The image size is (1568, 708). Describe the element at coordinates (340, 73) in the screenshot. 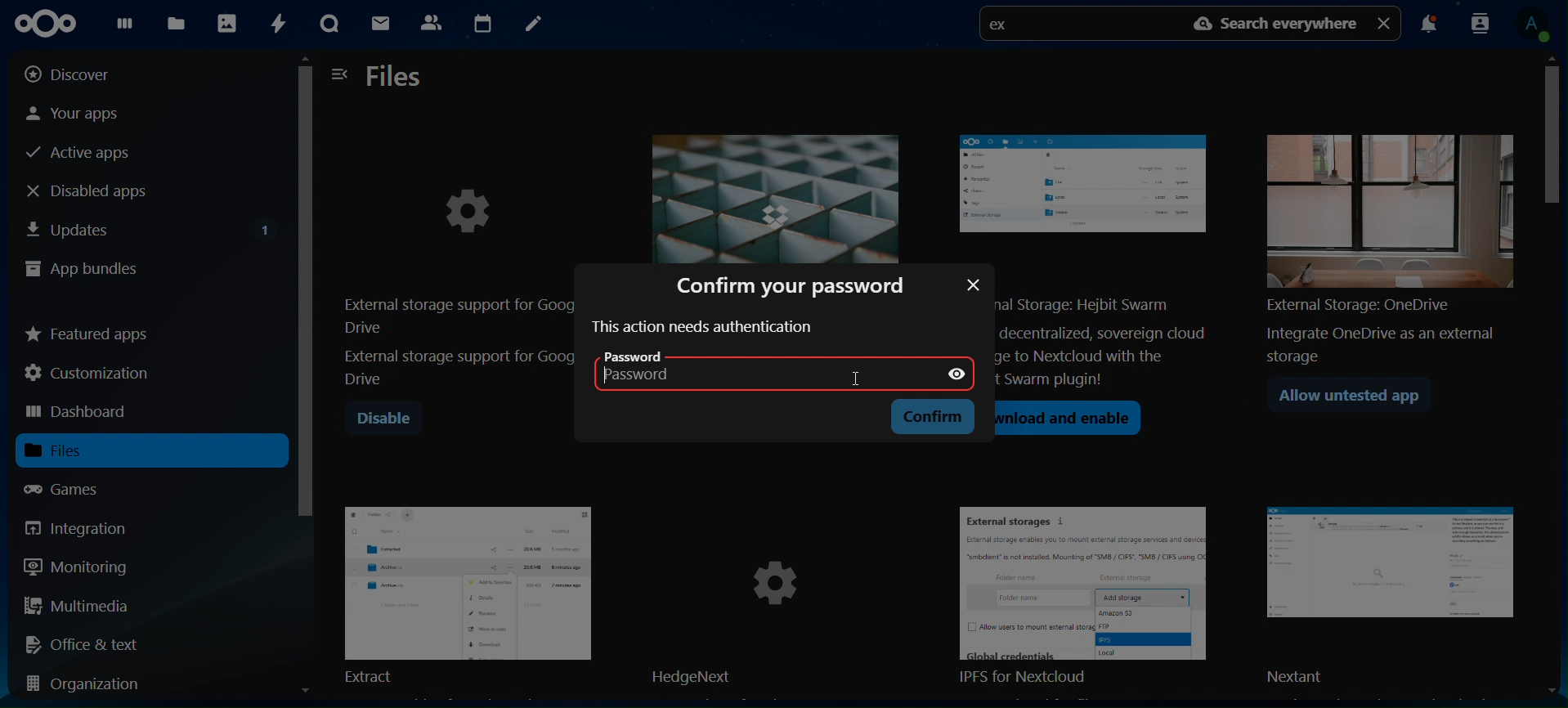

I see `close navigation` at that location.